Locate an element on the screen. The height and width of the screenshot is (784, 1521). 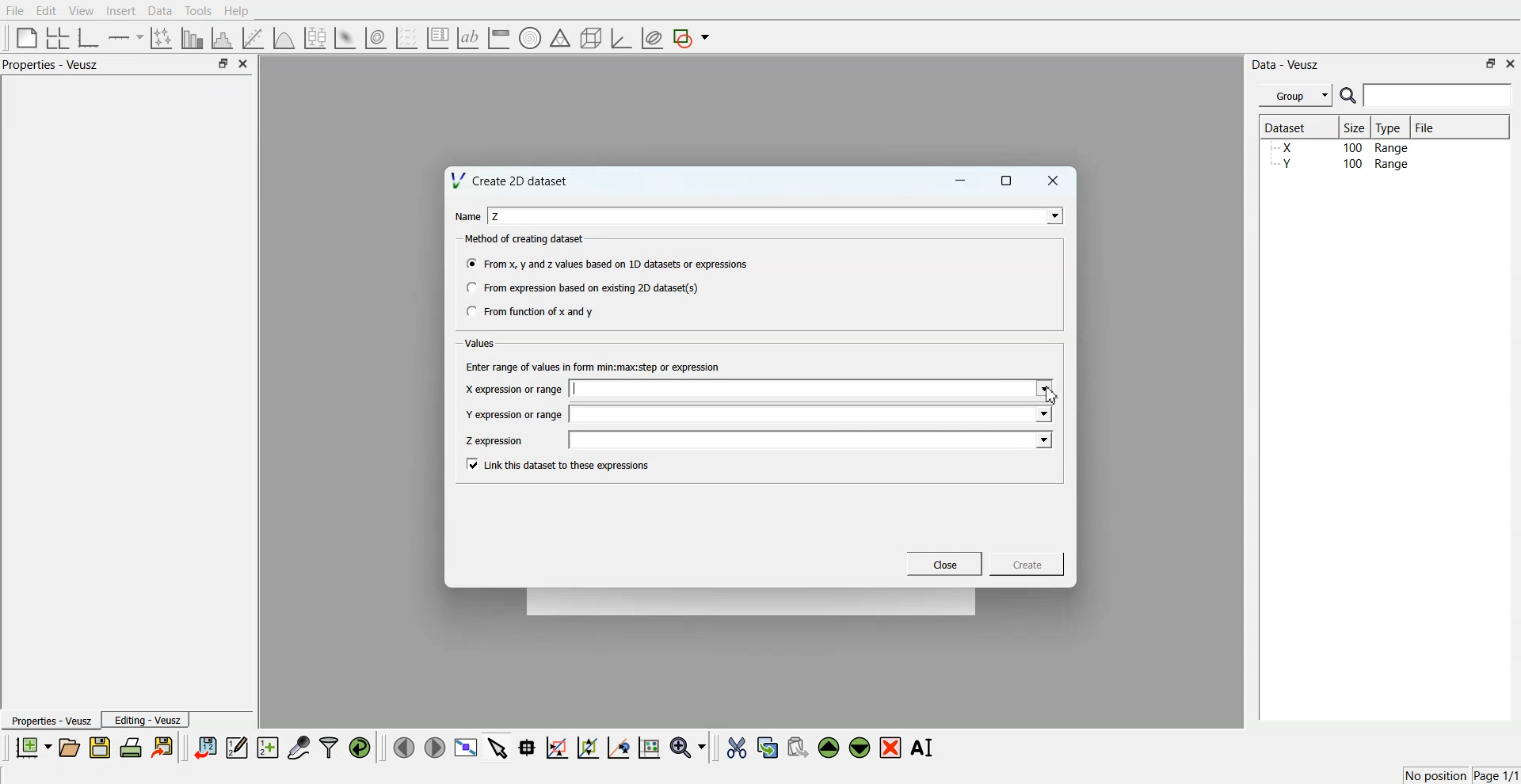
Save the document is located at coordinates (100, 747).